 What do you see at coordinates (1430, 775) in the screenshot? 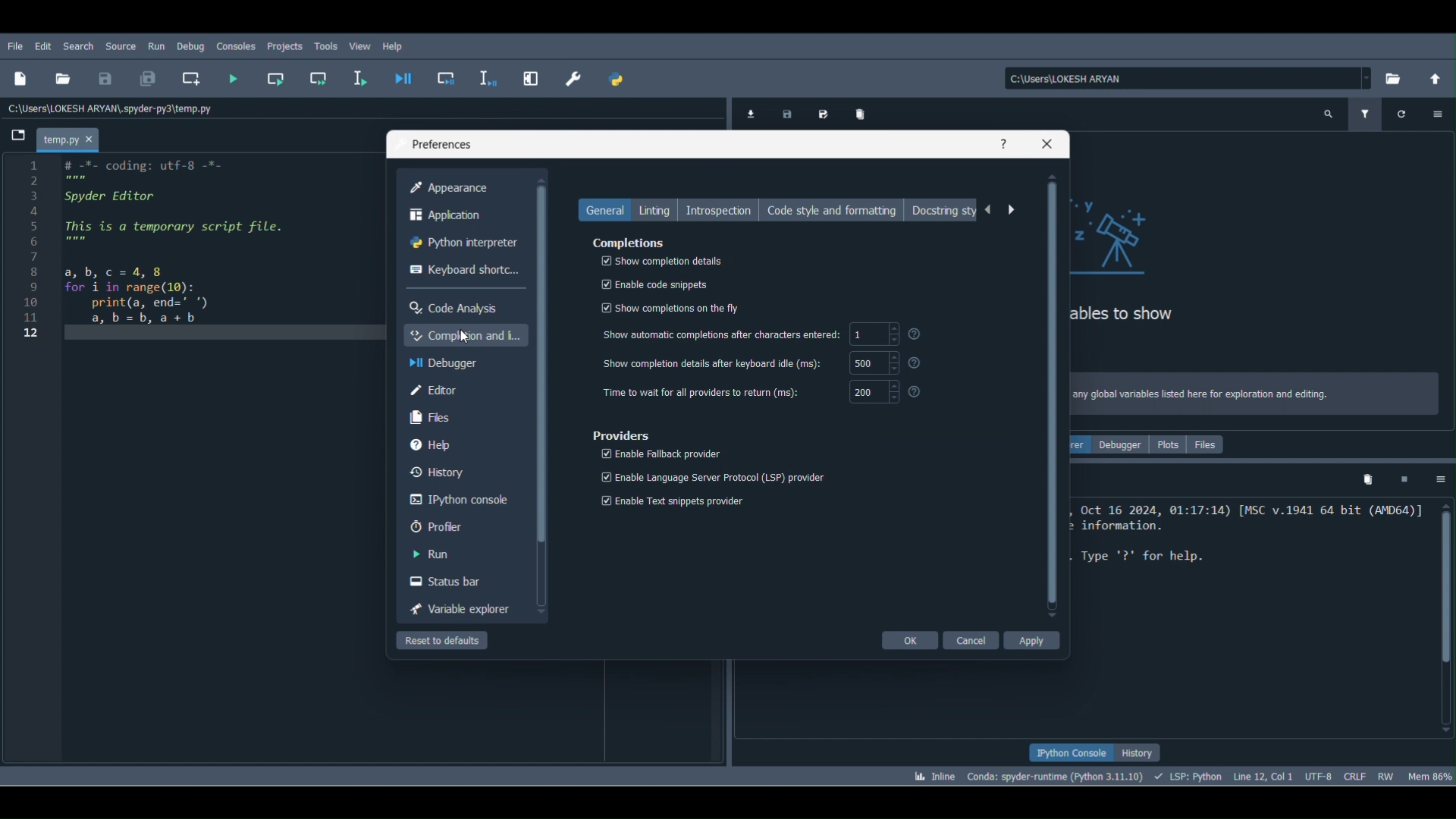
I see `Global memory usage` at bounding box center [1430, 775].